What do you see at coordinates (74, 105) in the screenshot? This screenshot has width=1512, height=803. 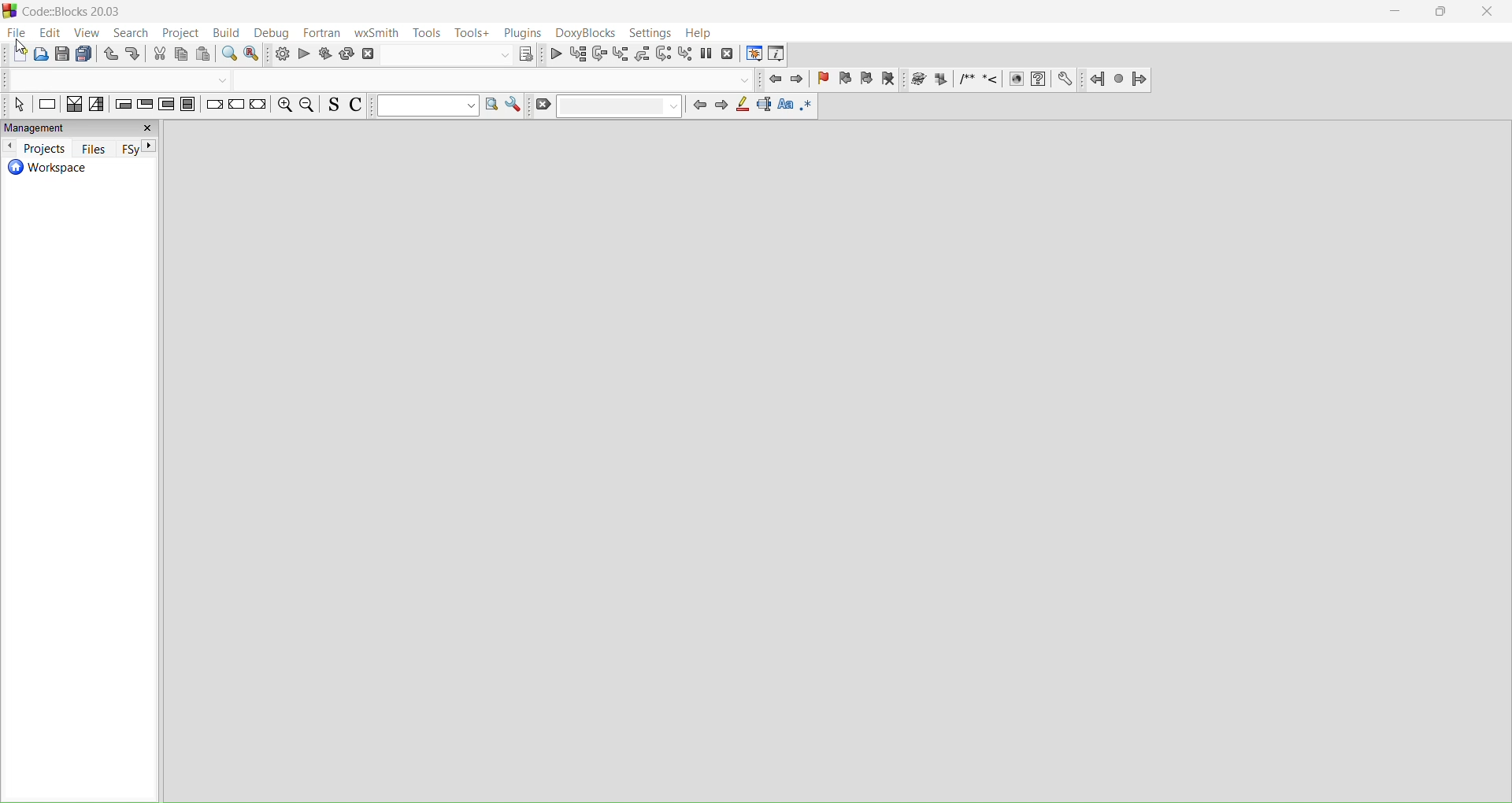 I see `decision` at bounding box center [74, 105].